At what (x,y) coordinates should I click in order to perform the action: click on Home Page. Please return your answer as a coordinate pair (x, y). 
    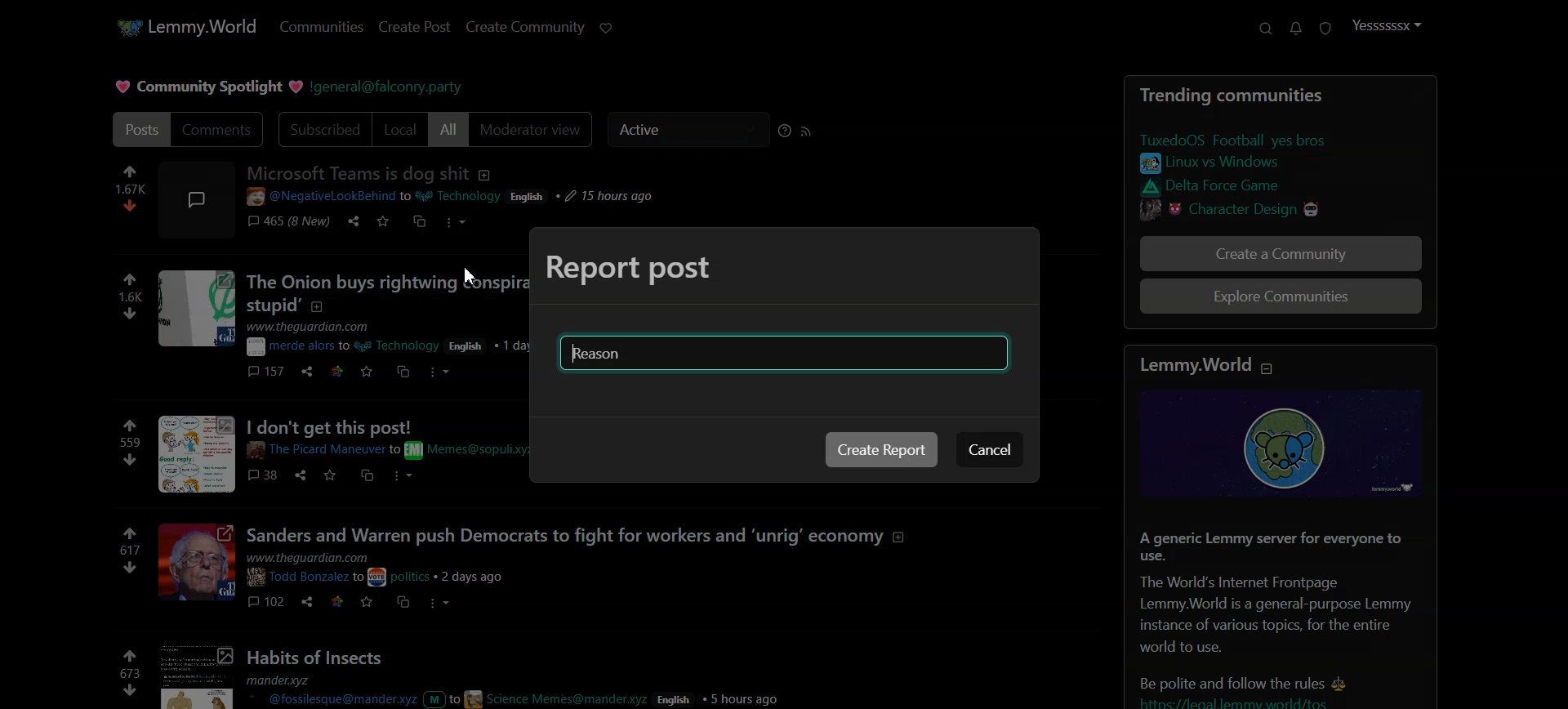
    Looking at the image, I should click on (186, 28).